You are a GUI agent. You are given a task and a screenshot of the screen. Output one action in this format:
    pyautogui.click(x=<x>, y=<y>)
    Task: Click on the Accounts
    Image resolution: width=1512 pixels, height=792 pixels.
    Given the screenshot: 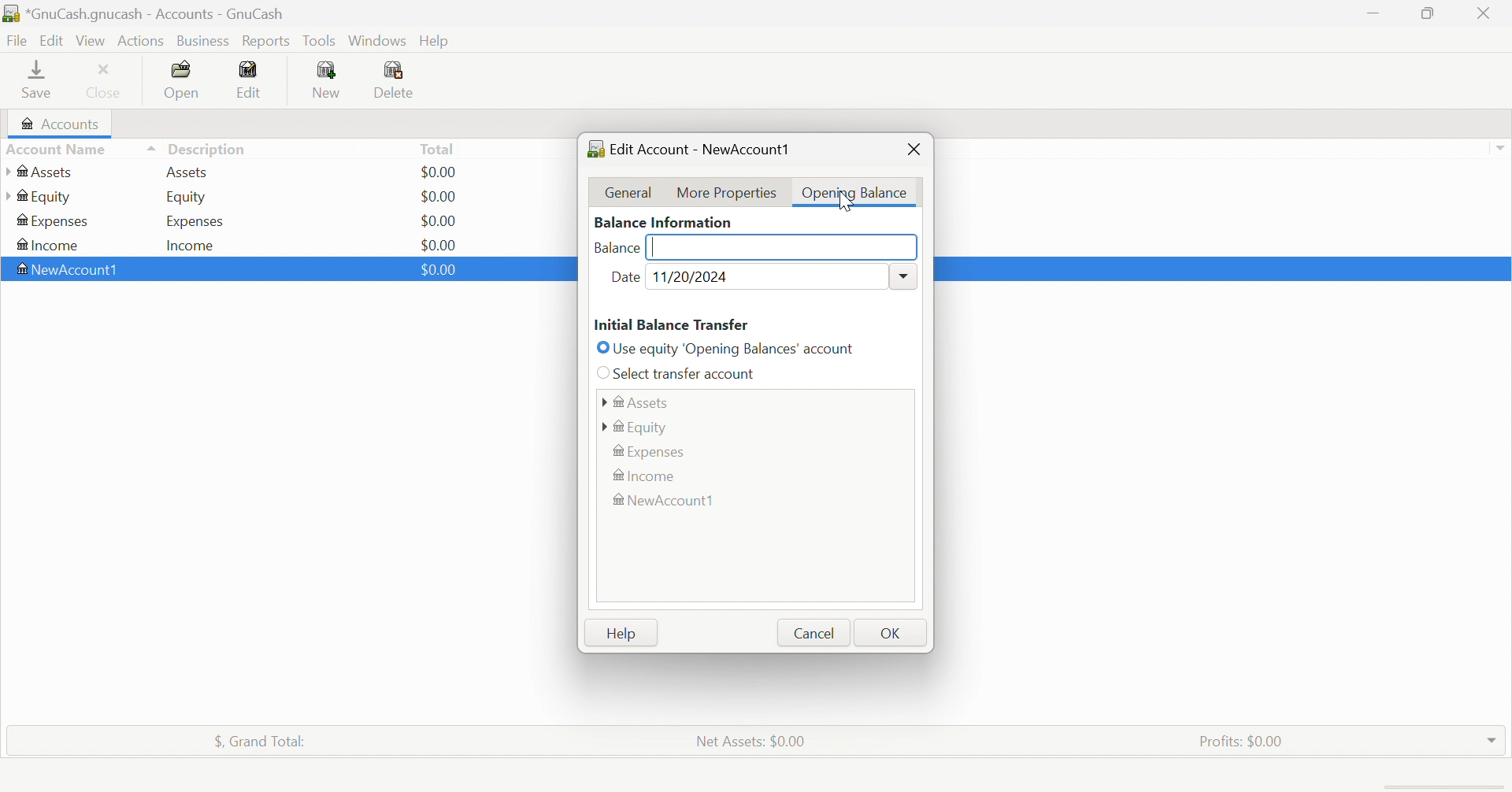 What is the action you would take?
    pyautogui.click(x=61, y=122)
    